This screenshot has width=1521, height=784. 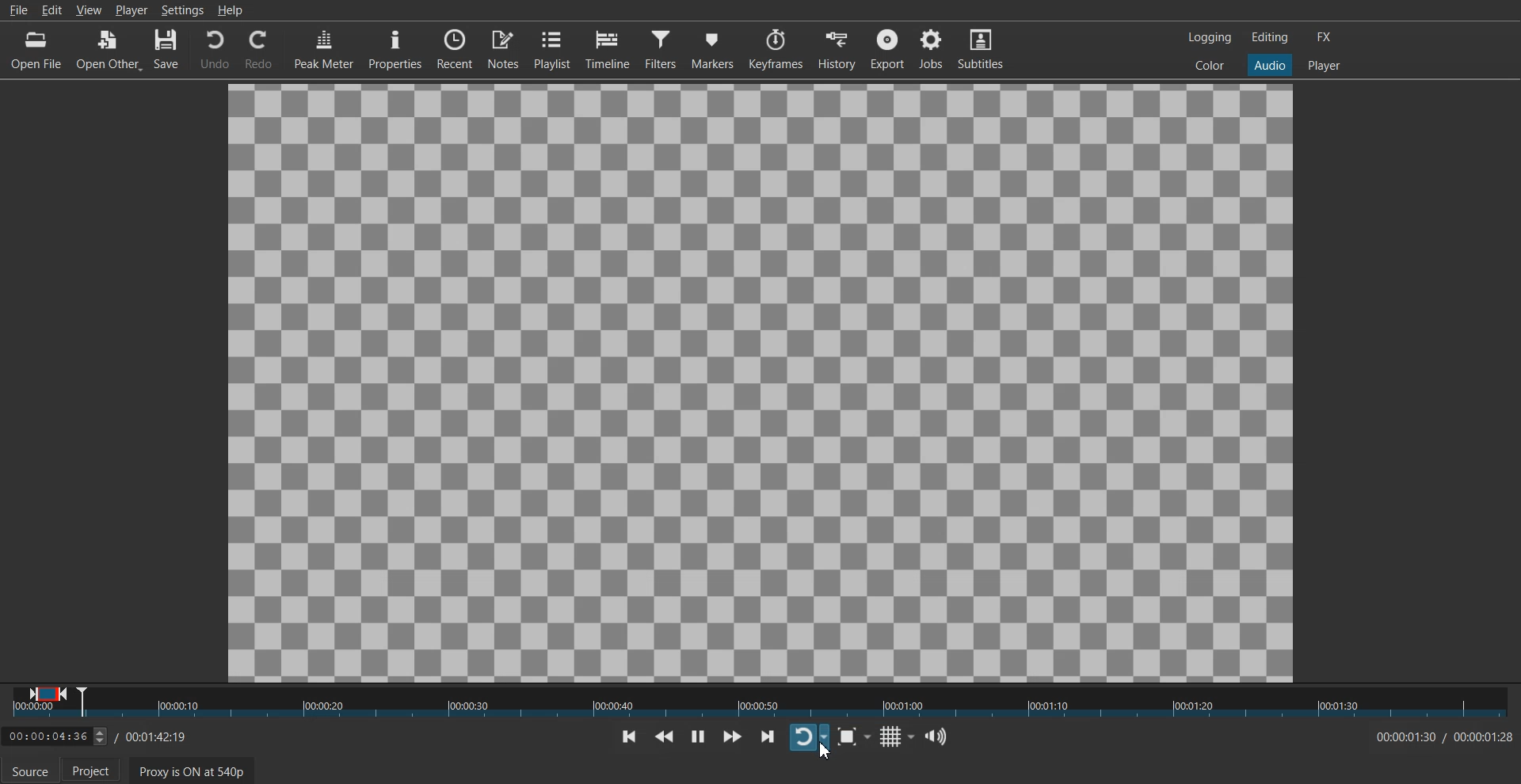 I want to click on Toggle grid display, so click(x=896, y=736).